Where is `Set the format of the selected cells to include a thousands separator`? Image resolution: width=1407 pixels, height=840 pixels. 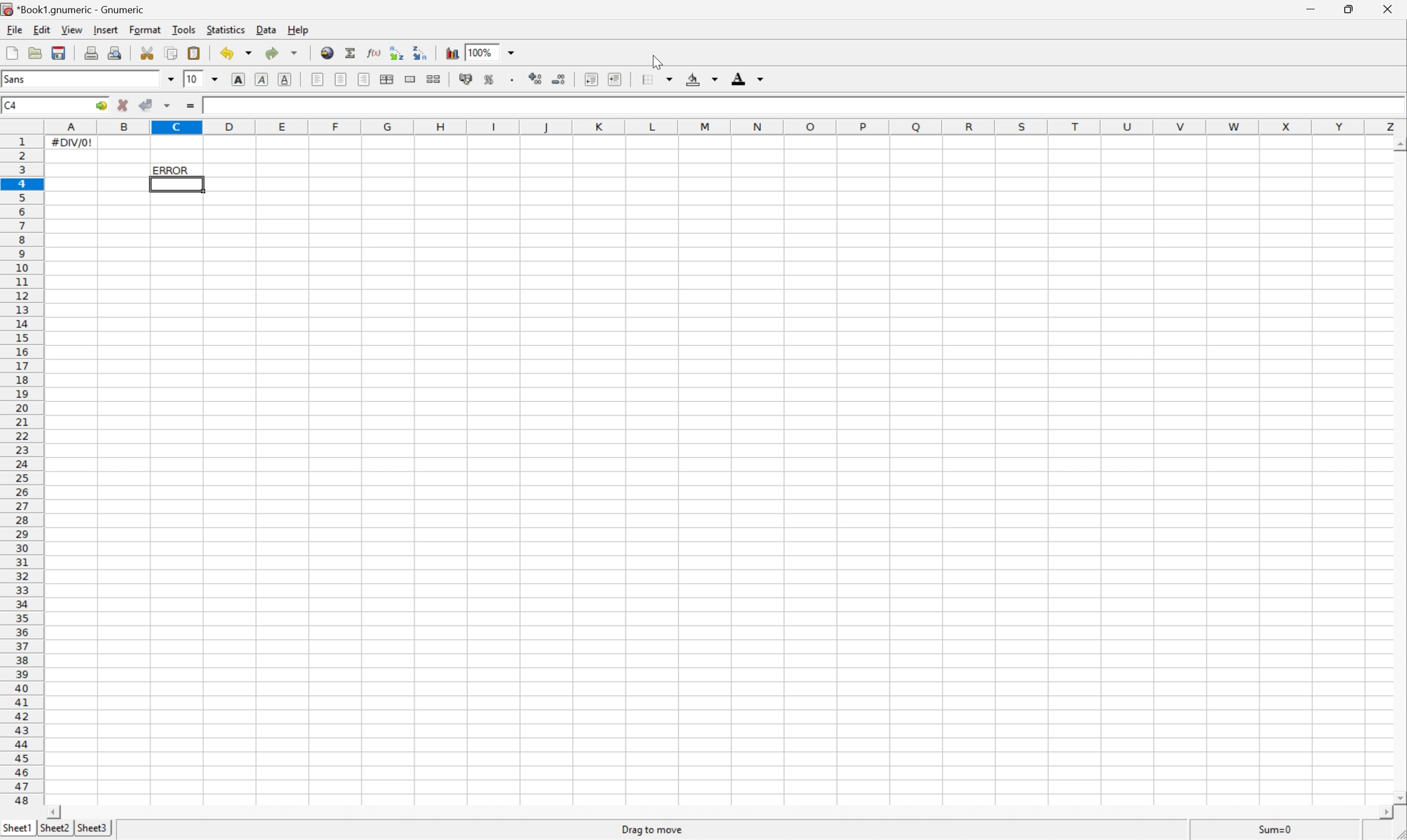
Set the format of the selected cells to include a thousands separator is located at coordinates (513, 80).